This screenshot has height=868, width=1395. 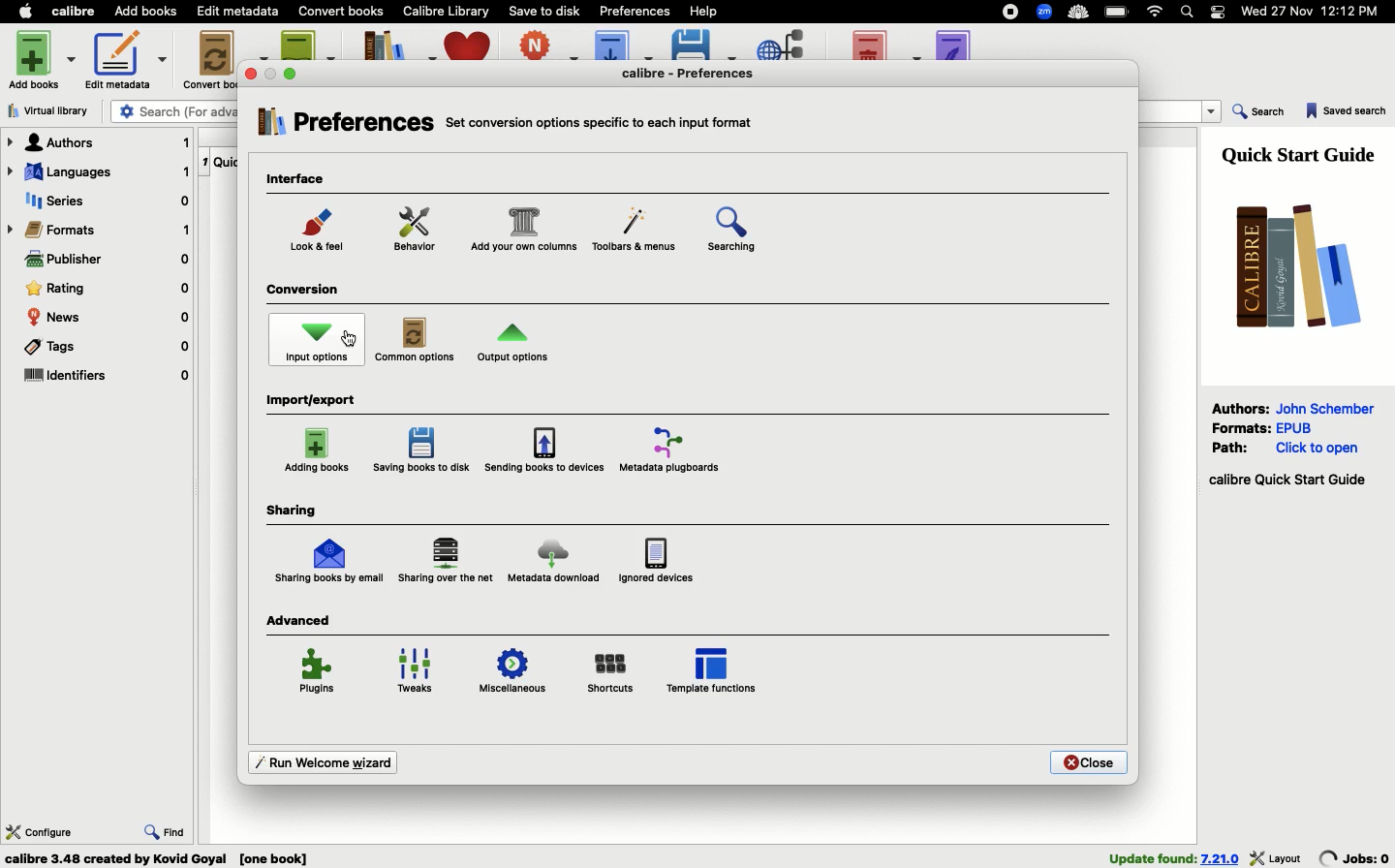 What do you see at coordinates (1347, 112) in the screenshot?
I see `Saved search` at bounding box center [1347, 112].